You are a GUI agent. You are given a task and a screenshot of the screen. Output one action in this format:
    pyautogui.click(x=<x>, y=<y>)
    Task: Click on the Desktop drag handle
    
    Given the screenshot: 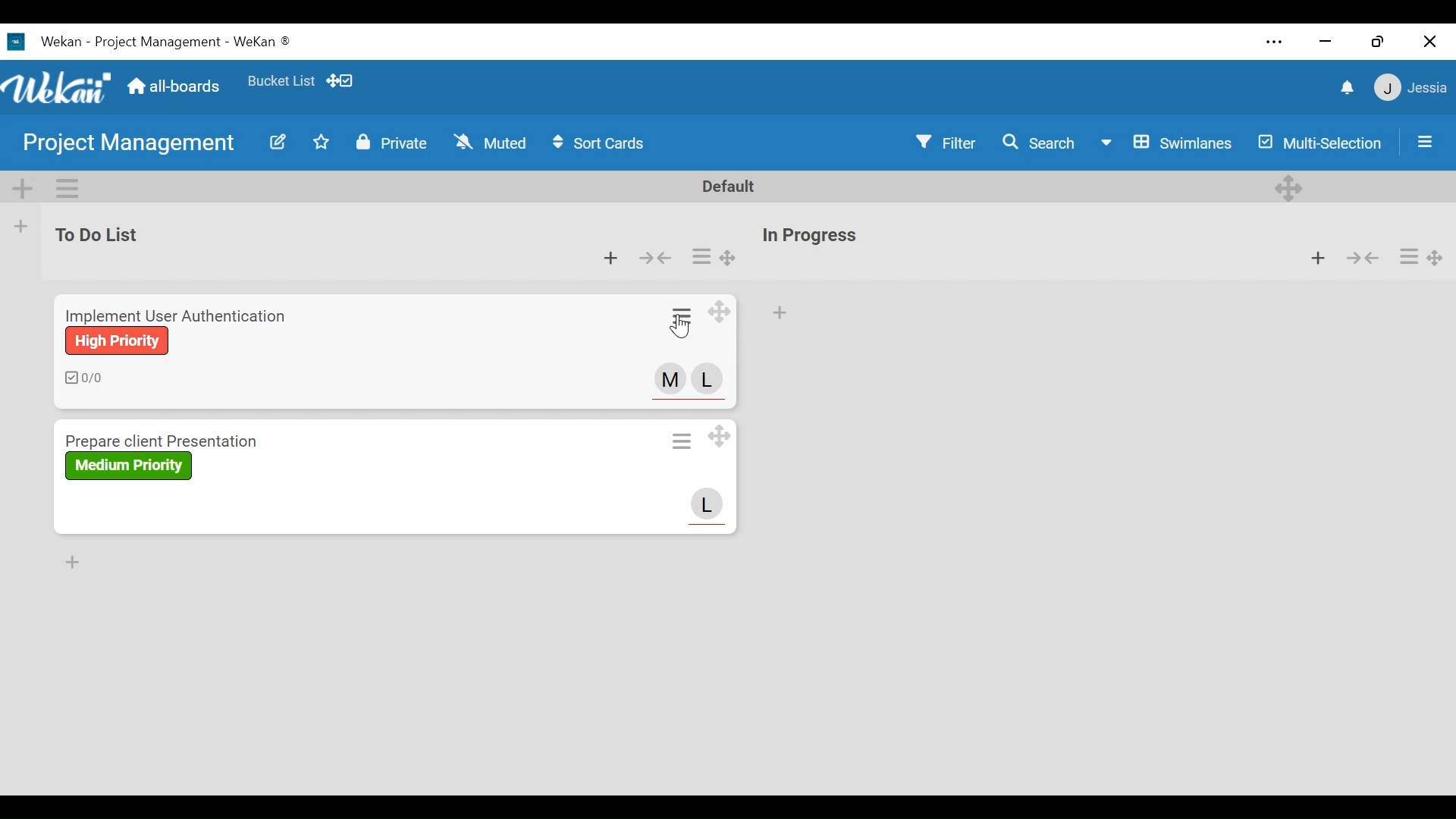 What is the action you would take?
    pyautogui.click(x=720, y=436)
    